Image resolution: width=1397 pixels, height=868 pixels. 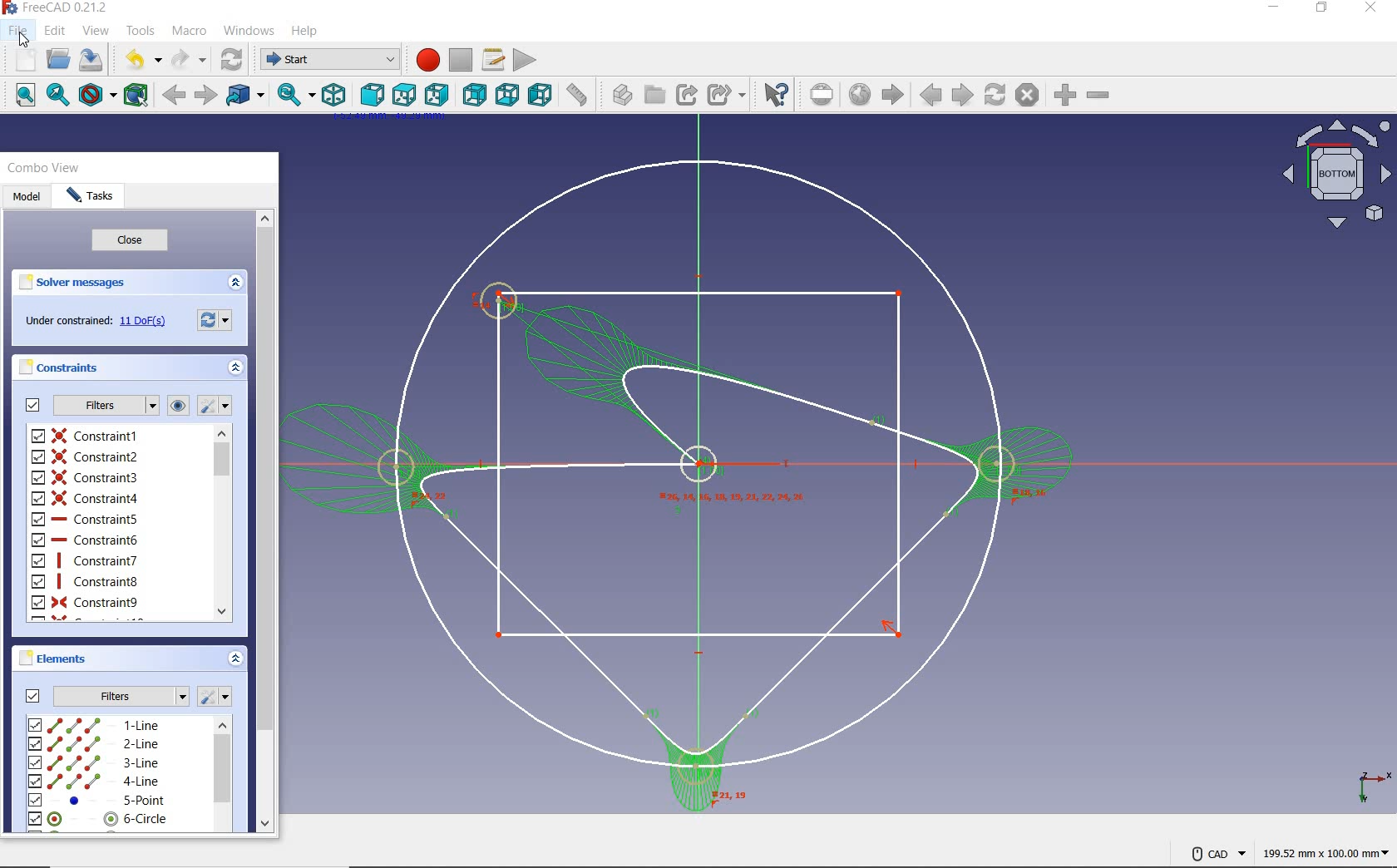 I want to click on expand, so click(x=237, y=281).